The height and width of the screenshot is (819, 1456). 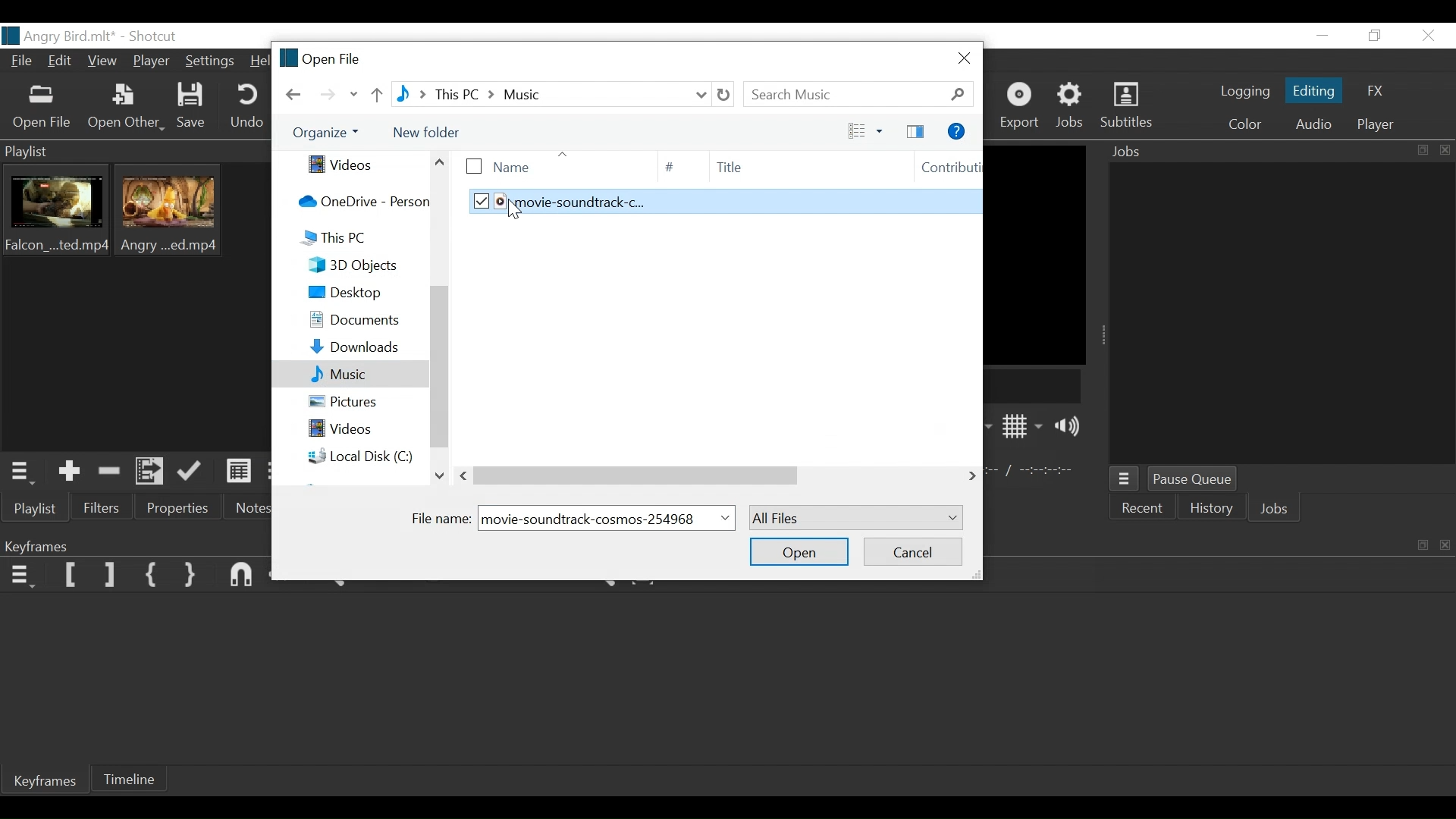 What do you see at coordinates (722, 202) in the screenshot?
I see `s` at bounding box center [722, 202].